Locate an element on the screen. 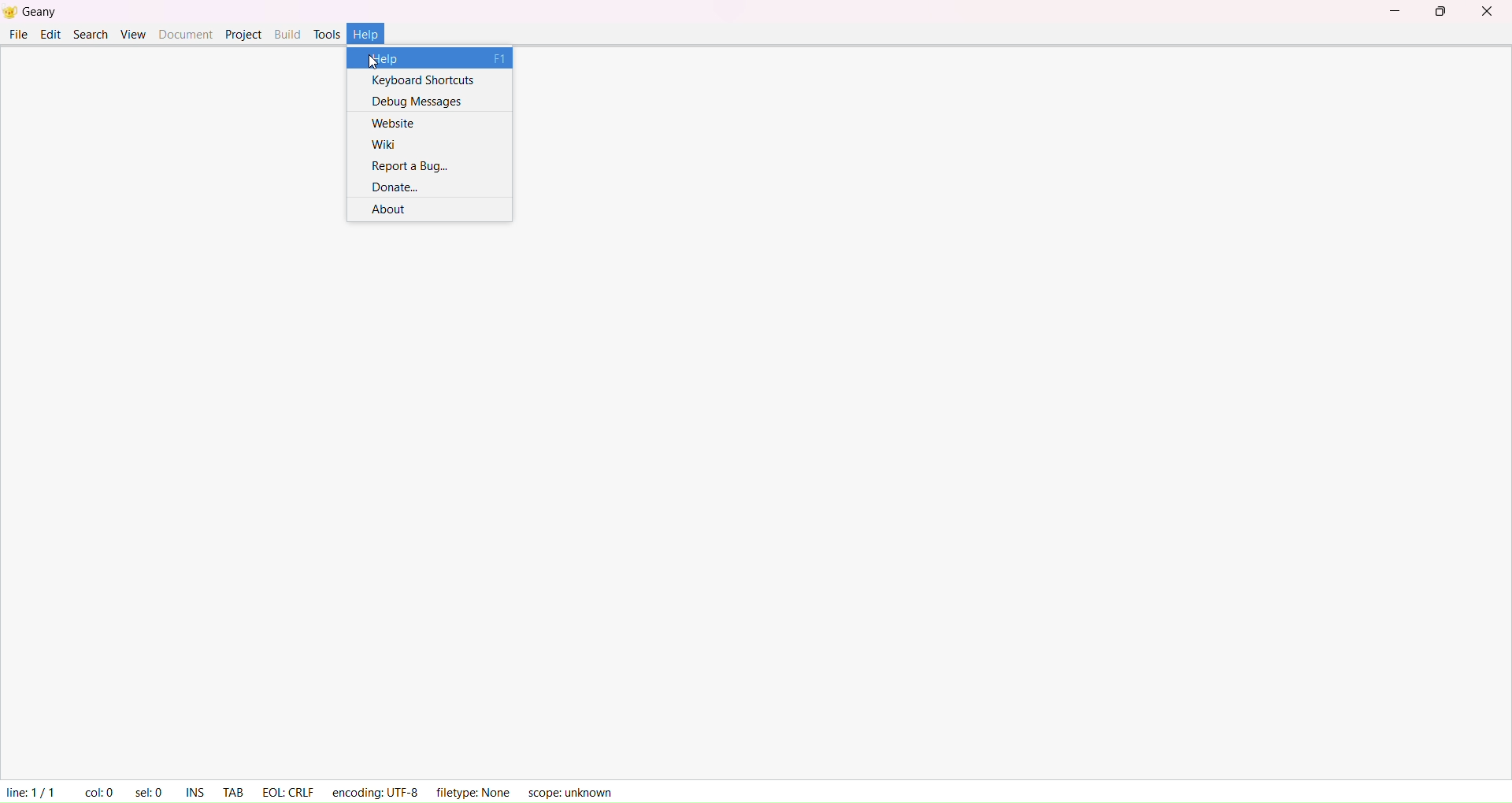  build is located at coordinates (285, 34).